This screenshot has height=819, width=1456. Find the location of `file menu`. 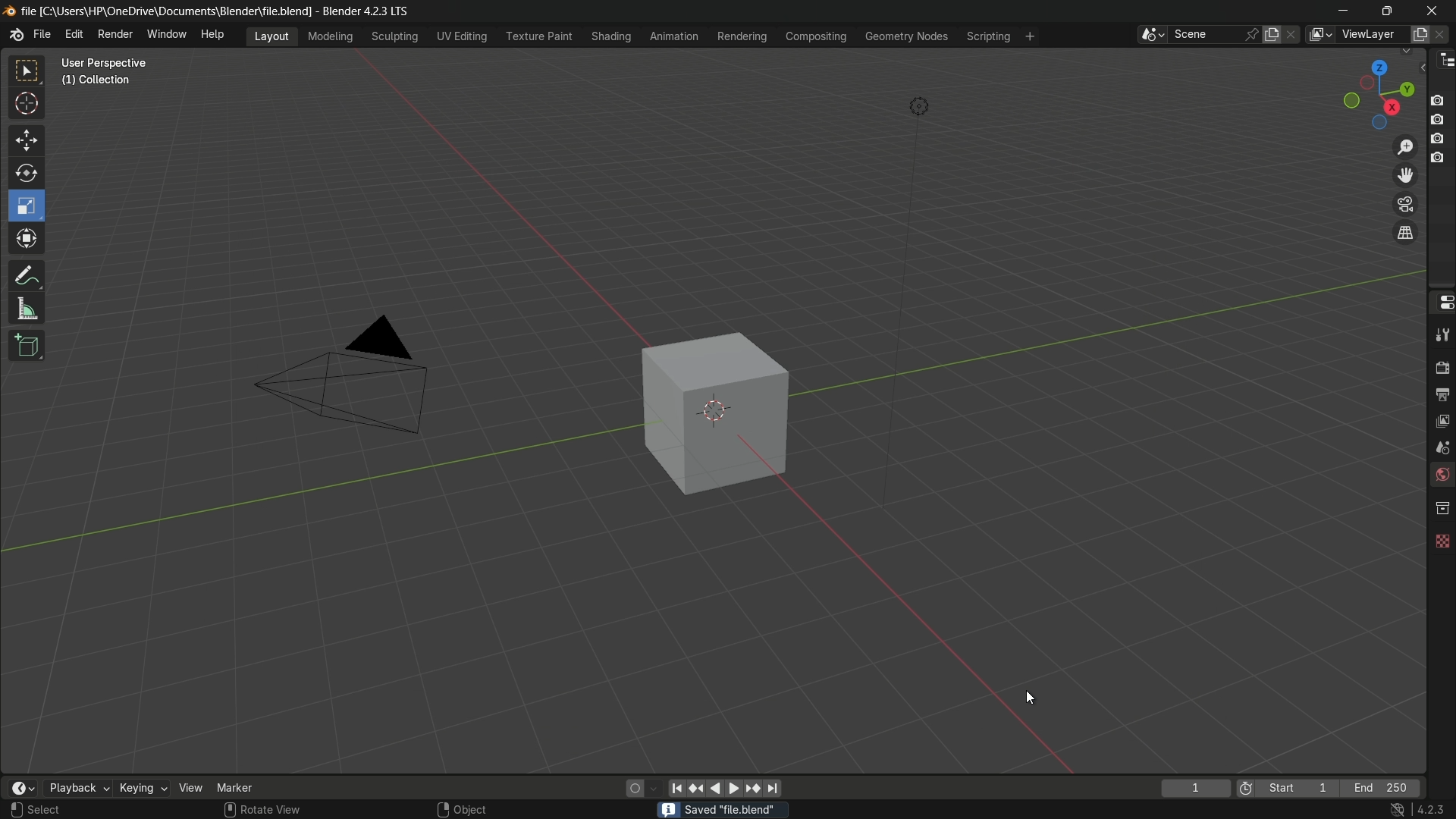

file menu is located at coordinates (42, 35).